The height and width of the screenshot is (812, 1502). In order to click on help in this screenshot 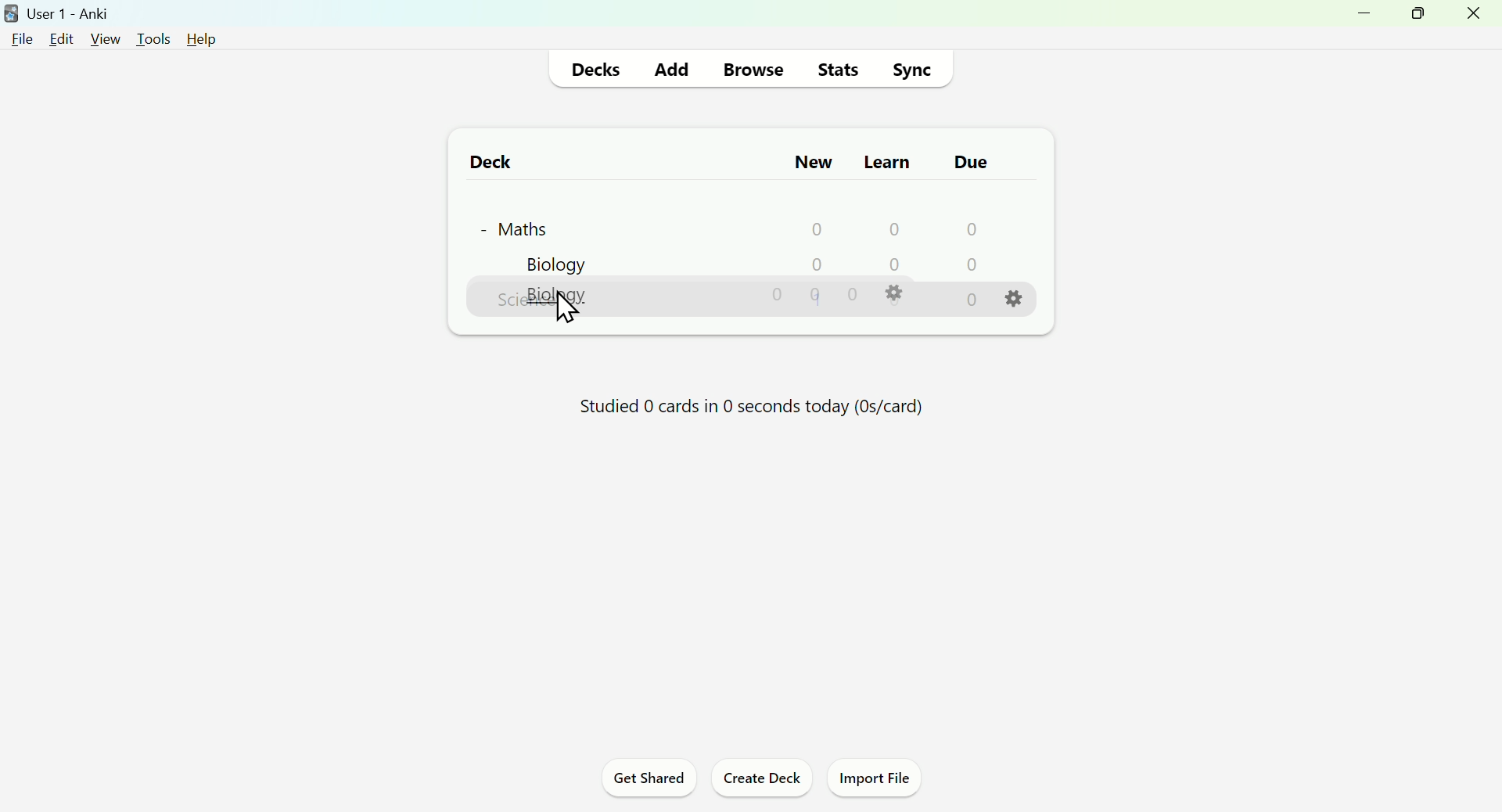, I will do `click(204, 41)`.